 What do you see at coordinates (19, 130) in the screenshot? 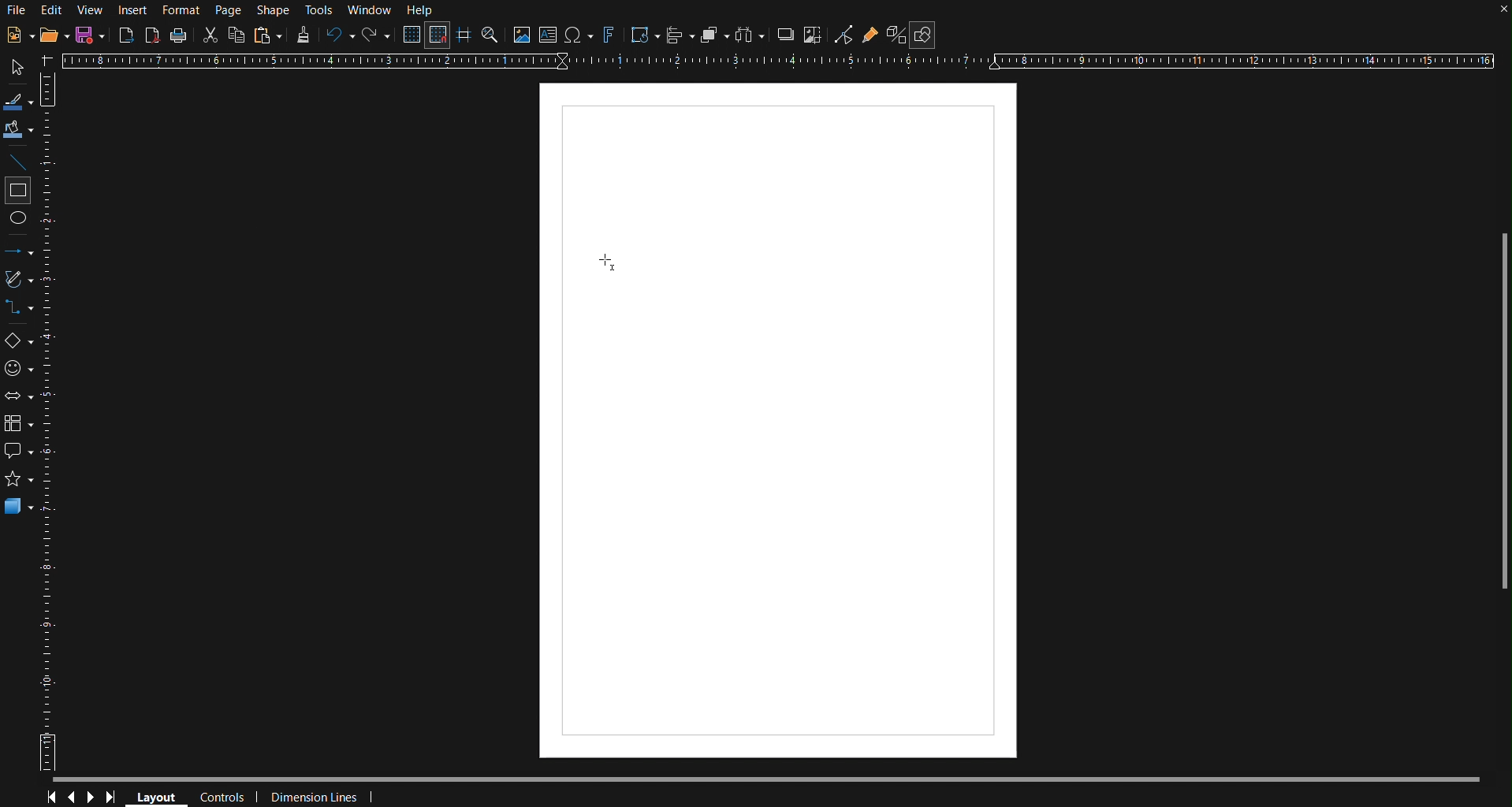
I see `Fill Color` at bounding box center [19, 130].